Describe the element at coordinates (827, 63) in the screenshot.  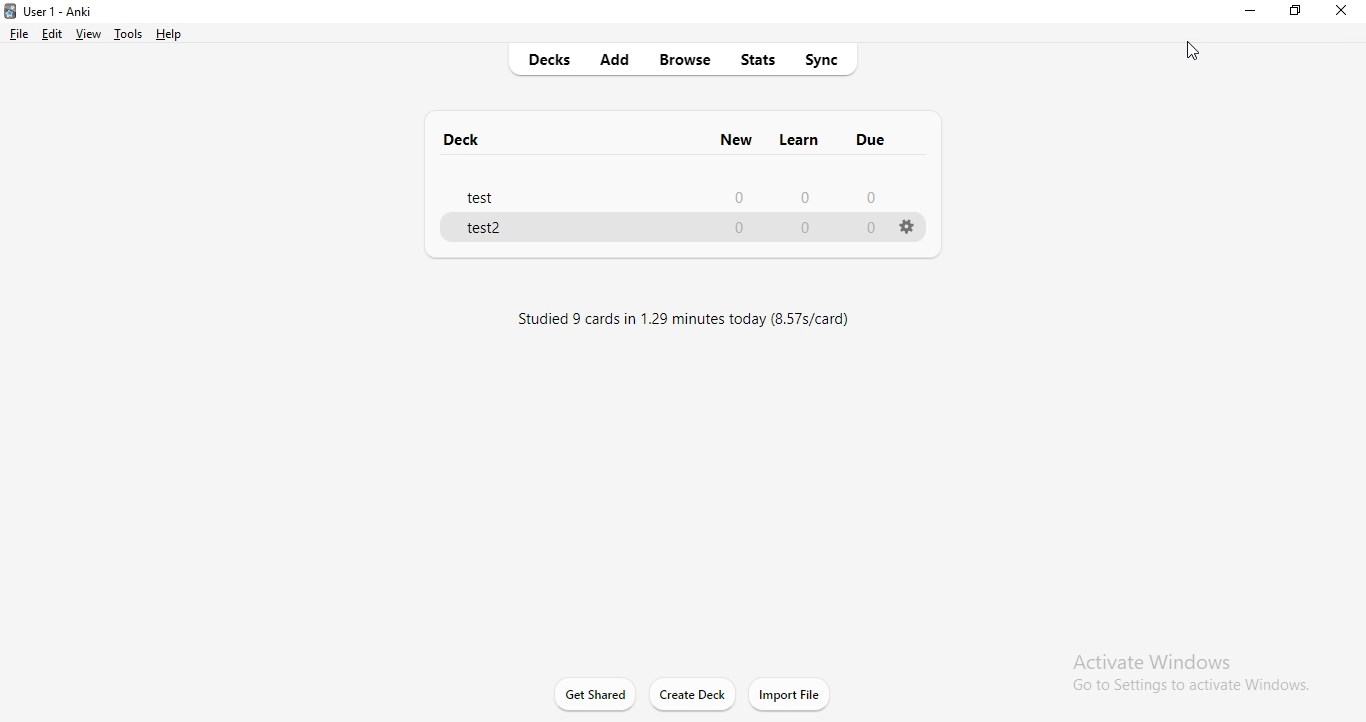
I see `sync` at that location.